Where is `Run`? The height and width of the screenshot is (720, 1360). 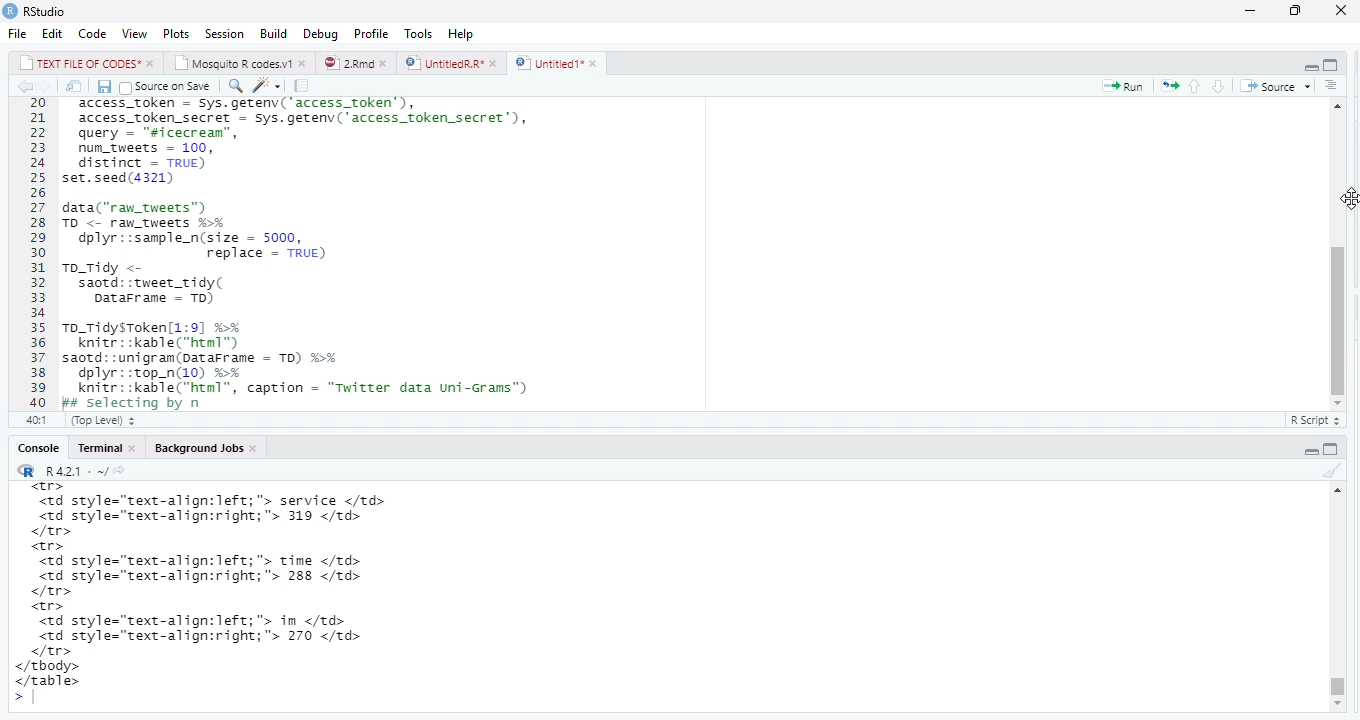
Run is located at coordinates (1122, 86).